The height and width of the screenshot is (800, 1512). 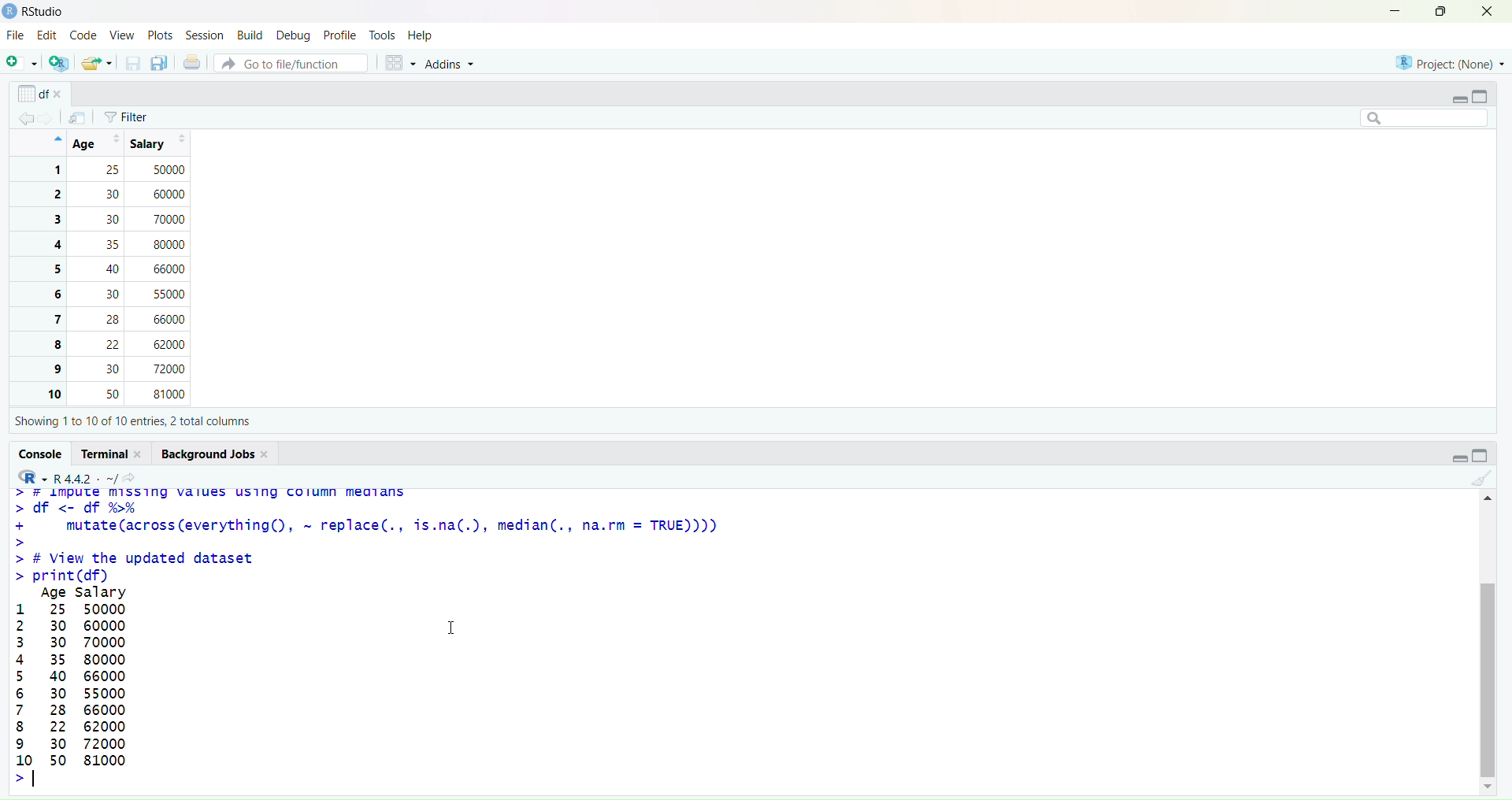 What do you see at coordinates (452, 628) in the screenshot?
I see `cursor` at bounding box center [452, 628].